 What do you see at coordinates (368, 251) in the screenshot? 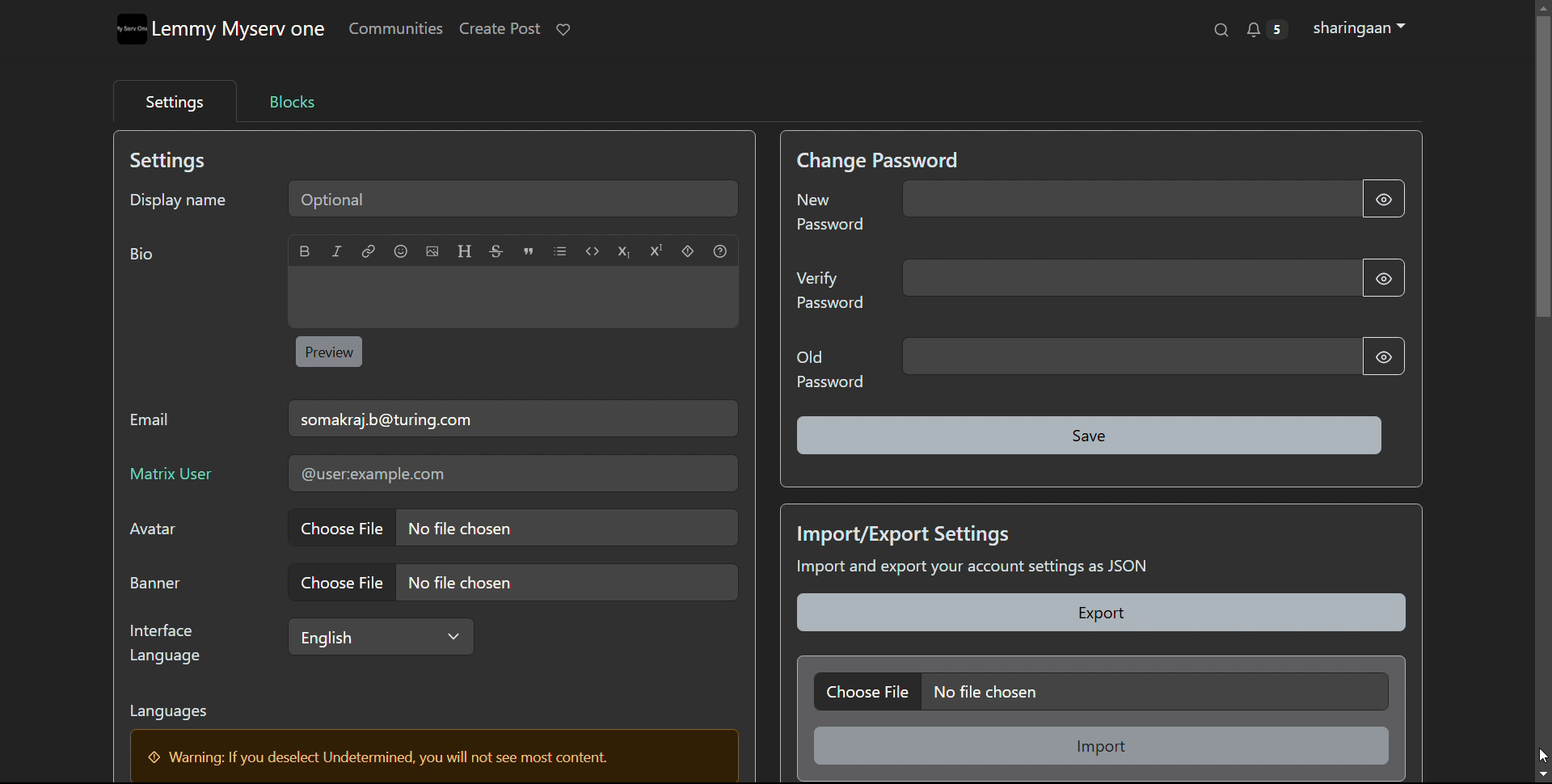
I see `link` at bounding box center [368, 251].